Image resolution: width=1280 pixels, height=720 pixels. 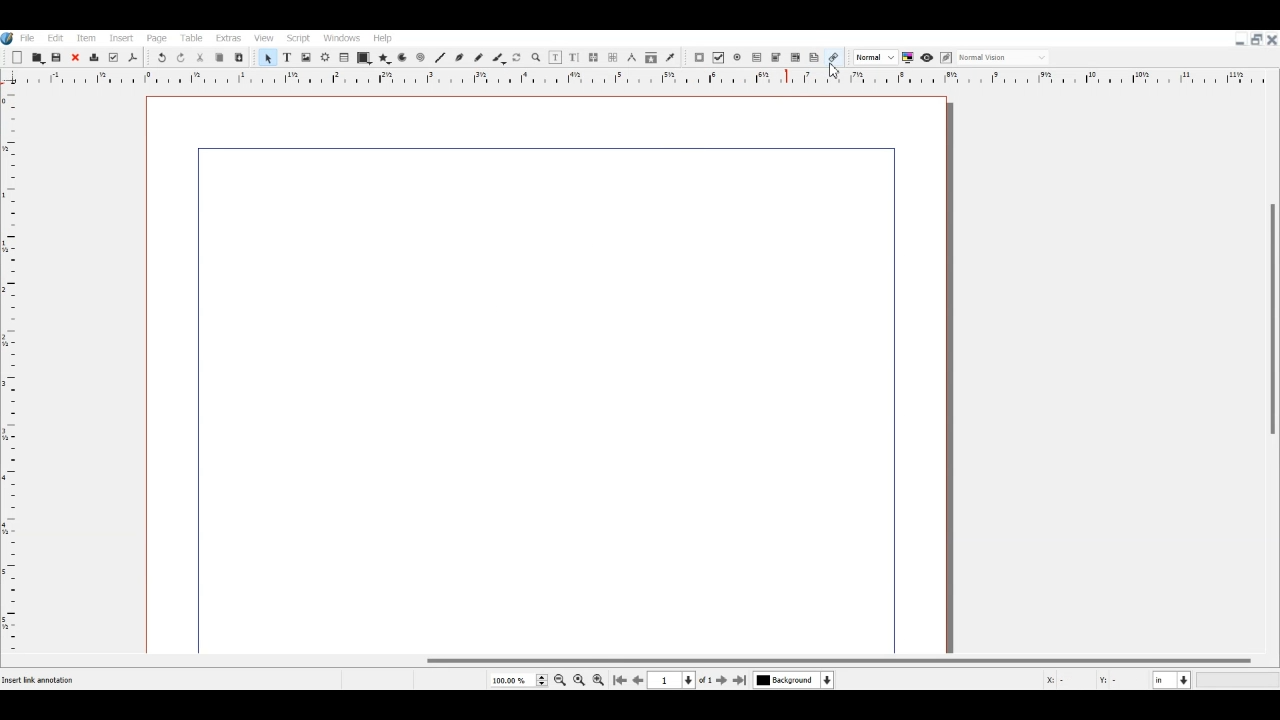 I want to click on Vertical Scroll Bar, so click(x=1271, y=360).